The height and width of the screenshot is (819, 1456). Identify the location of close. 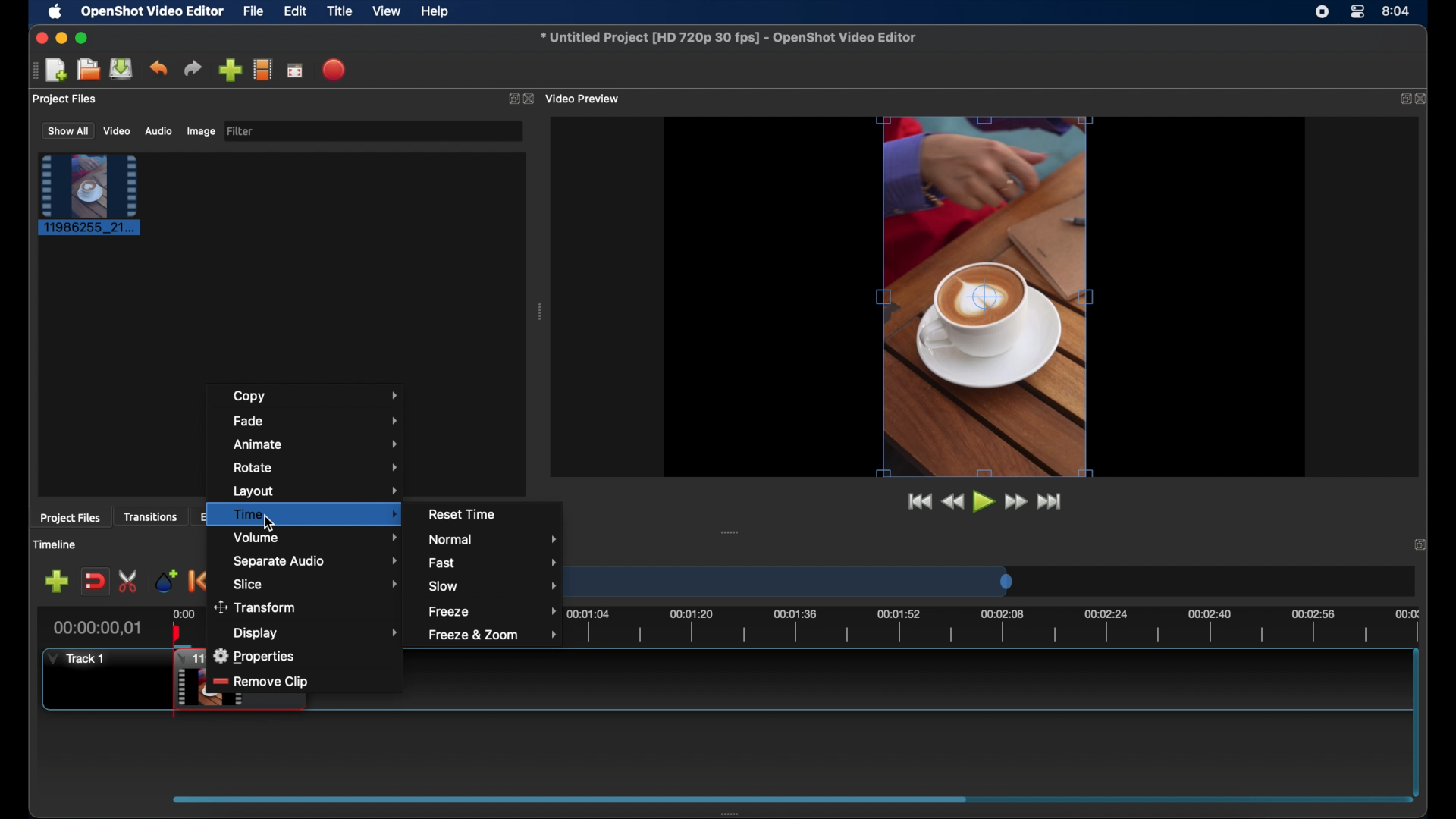
(1418, 544).